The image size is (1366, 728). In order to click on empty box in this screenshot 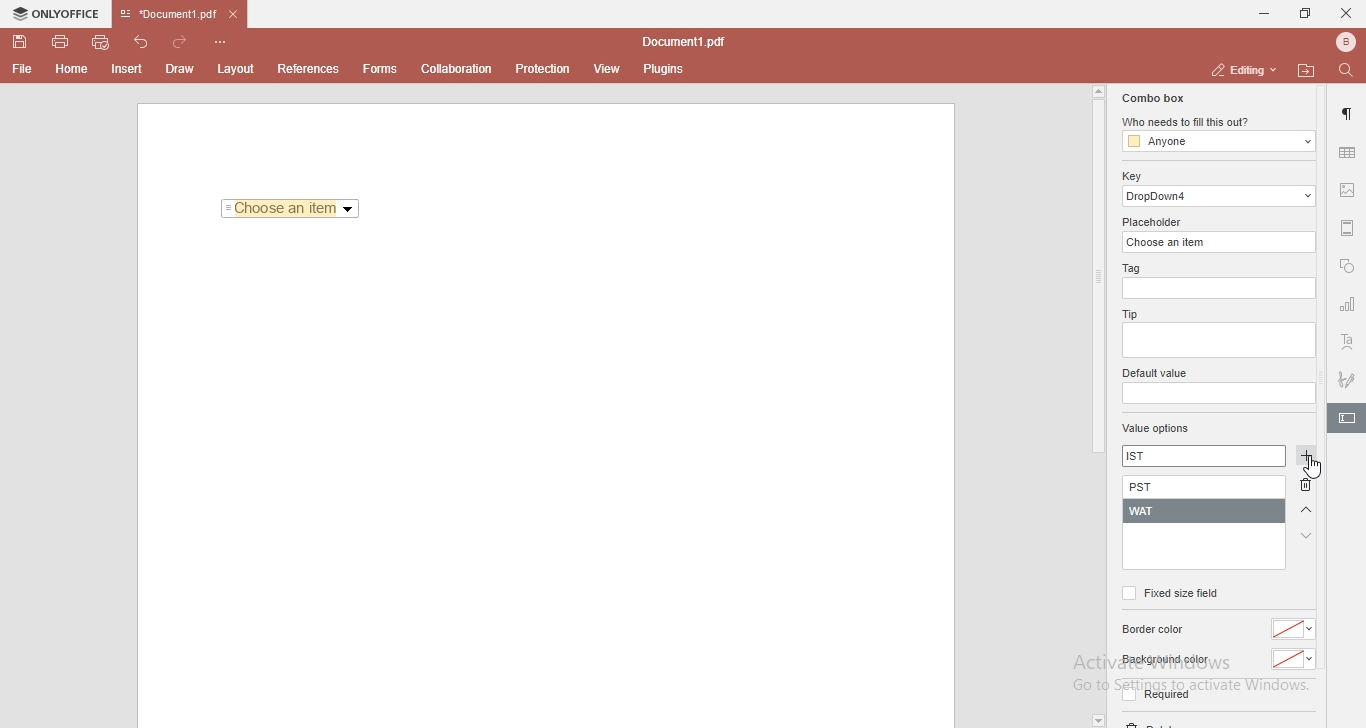, I will do `click(1217, 342)`.